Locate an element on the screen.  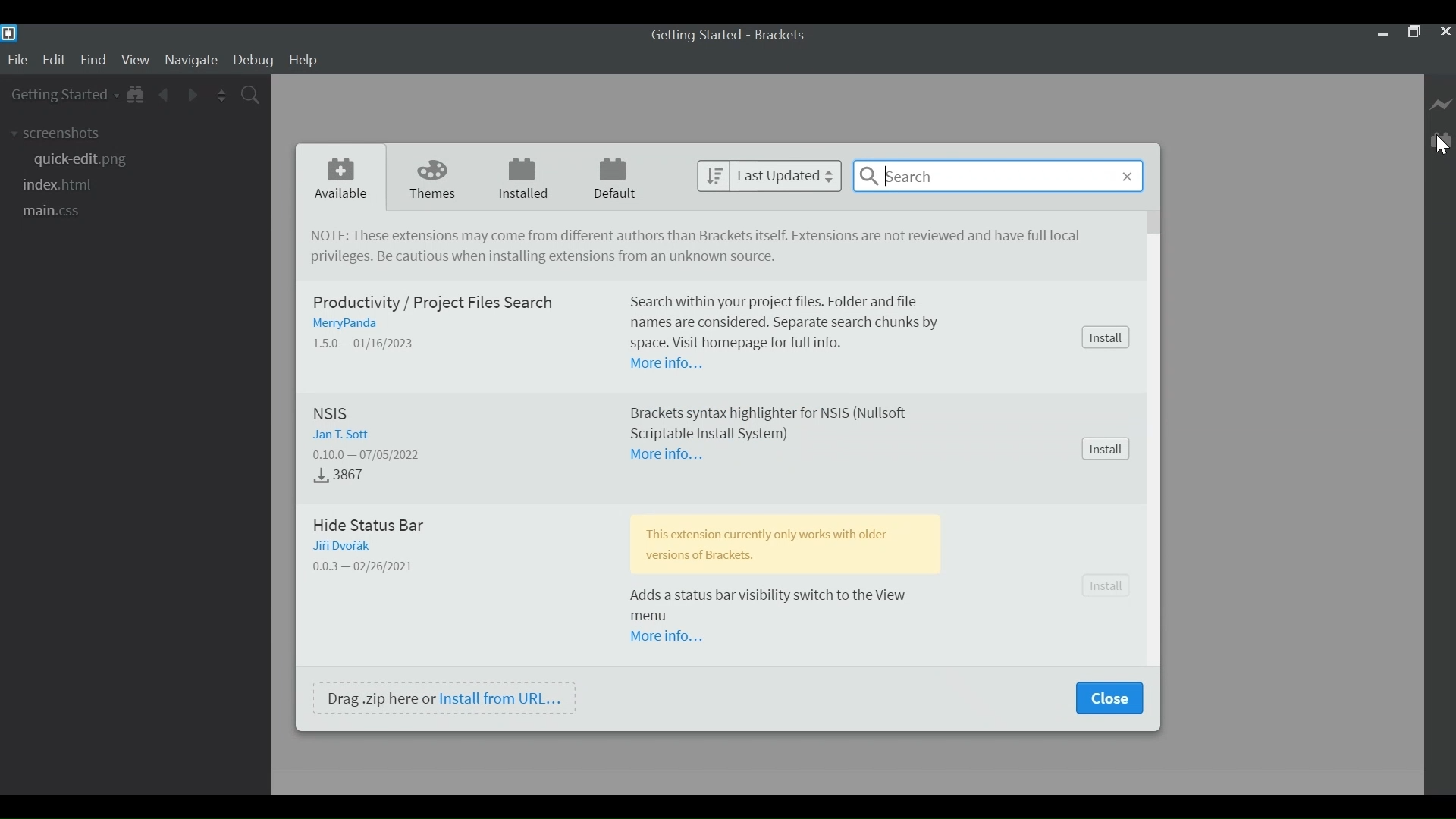
Jiri Dvorak is located at coordinates (346, 547).